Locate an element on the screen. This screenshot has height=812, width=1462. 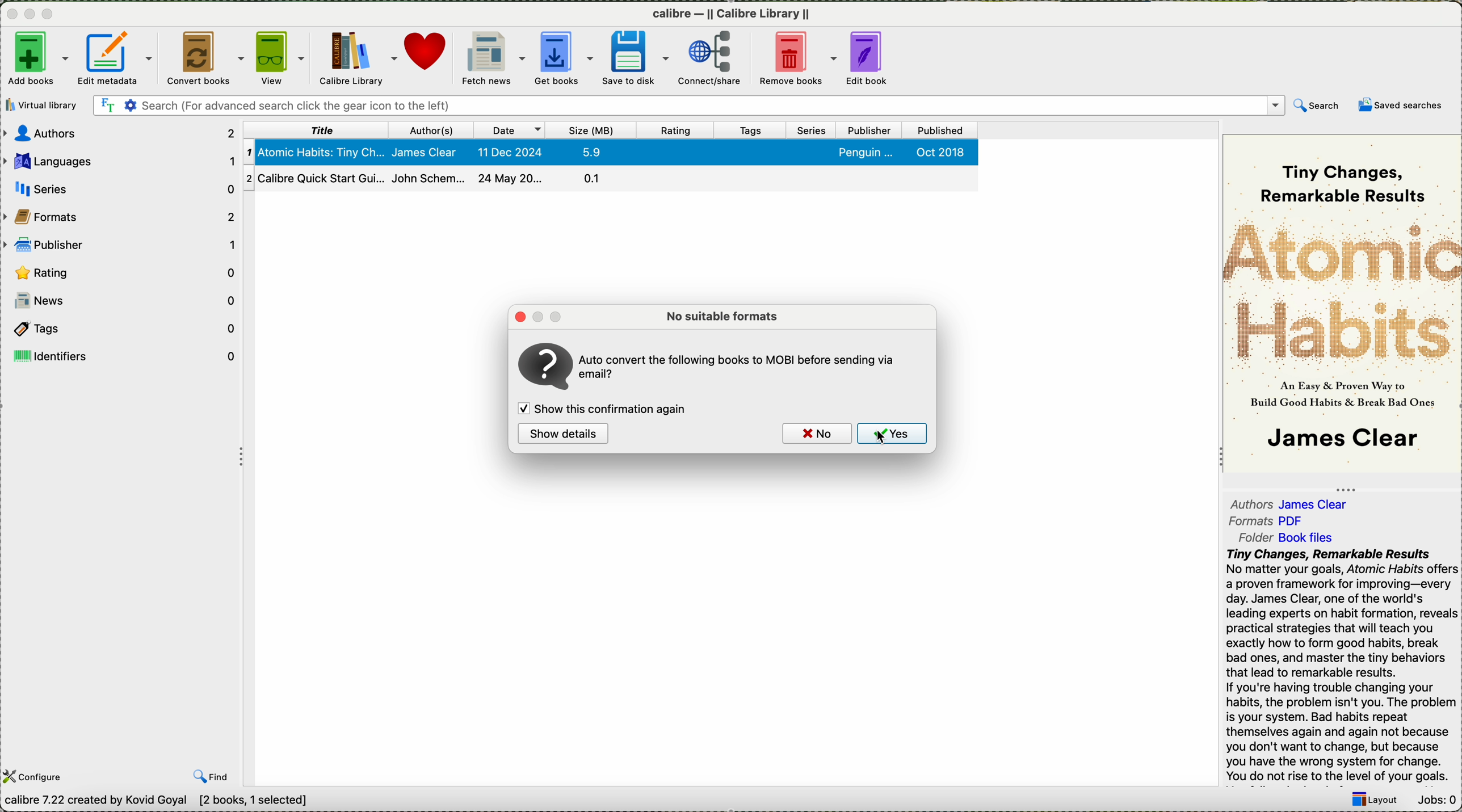
authors is located at coordinates (1293, 502).